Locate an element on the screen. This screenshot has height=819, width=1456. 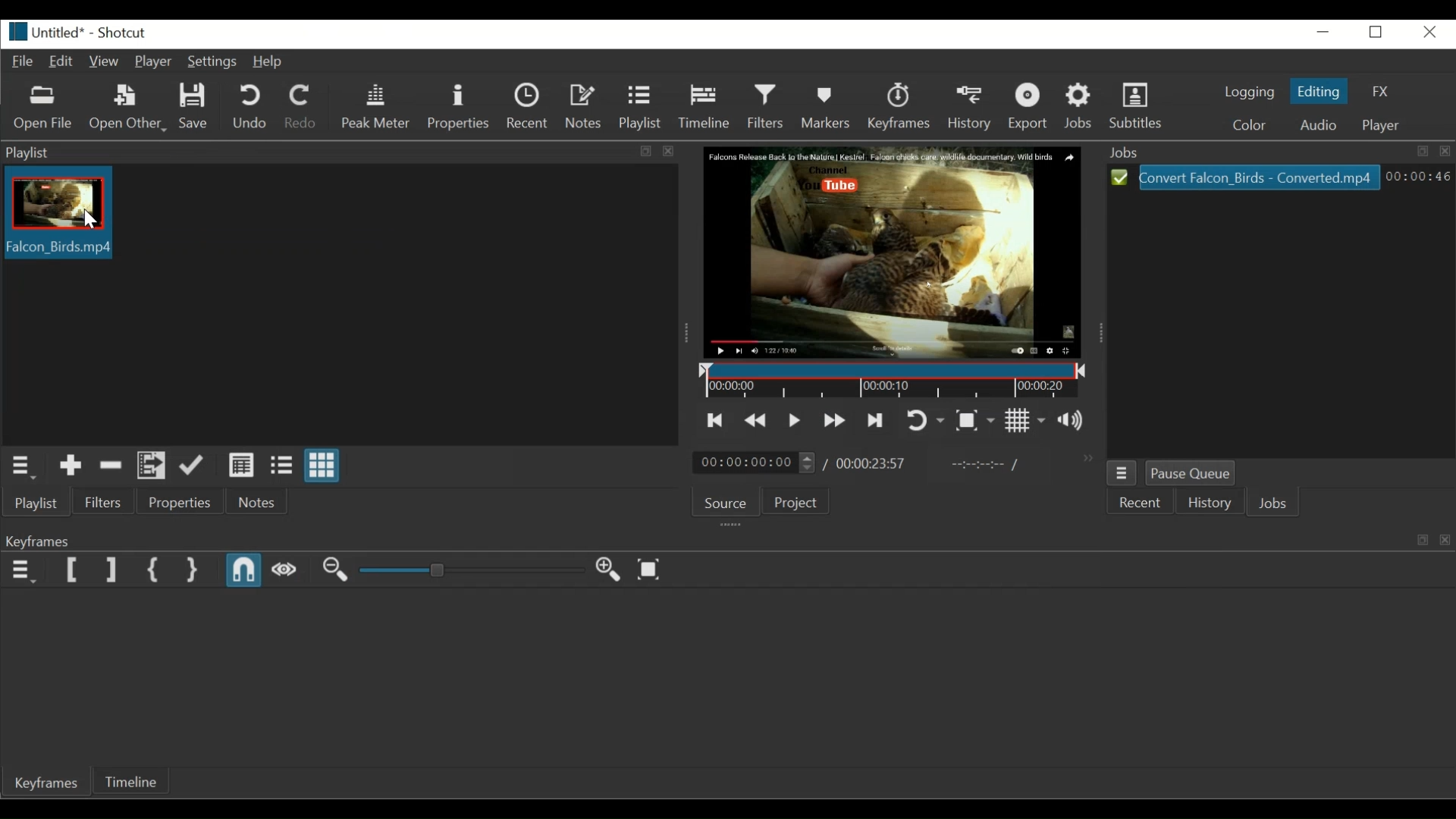
Player is located at coordinates (152, 63).